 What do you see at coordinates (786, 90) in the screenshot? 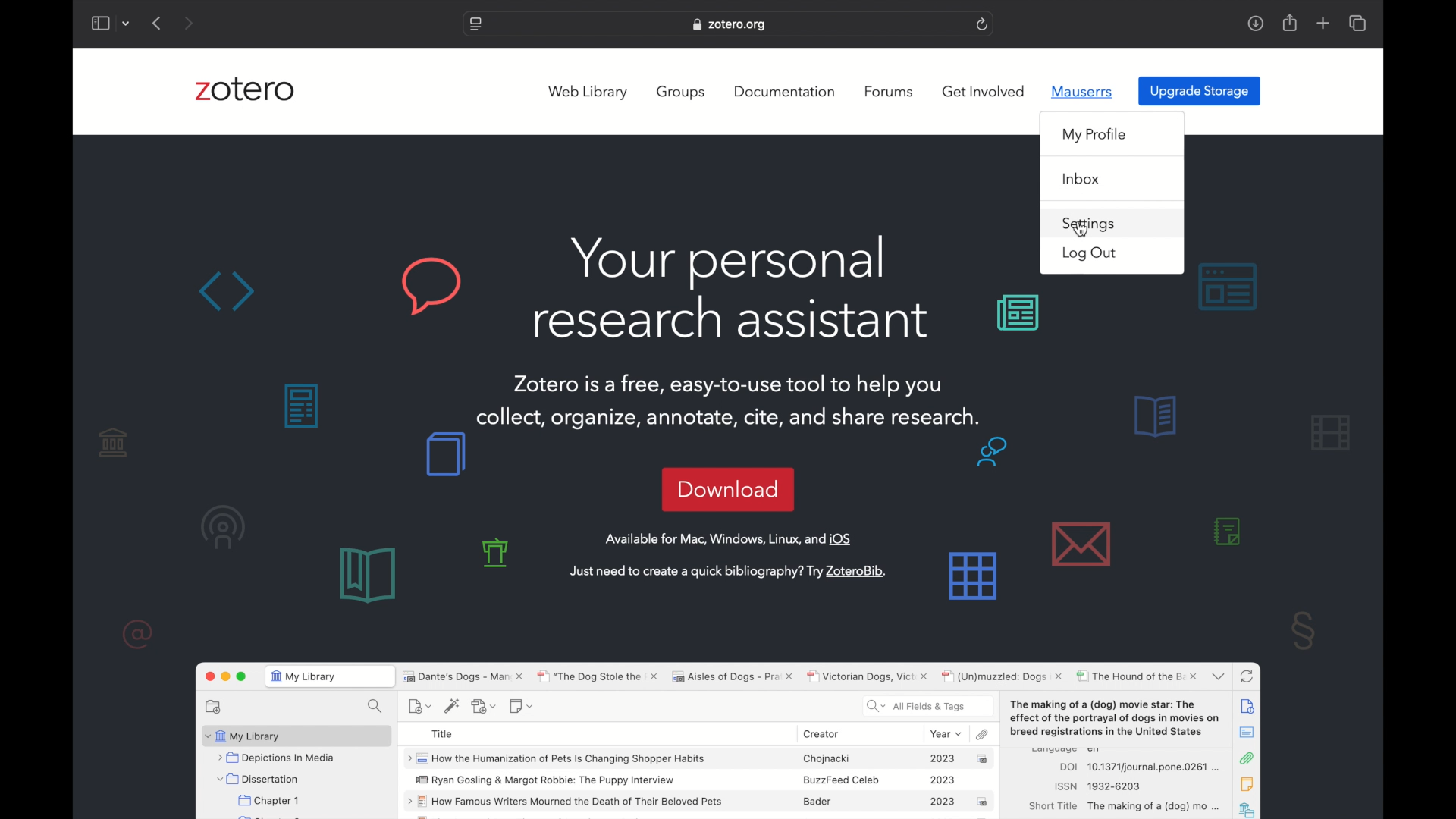
I see `documentation` at bounding box center [786, 90].